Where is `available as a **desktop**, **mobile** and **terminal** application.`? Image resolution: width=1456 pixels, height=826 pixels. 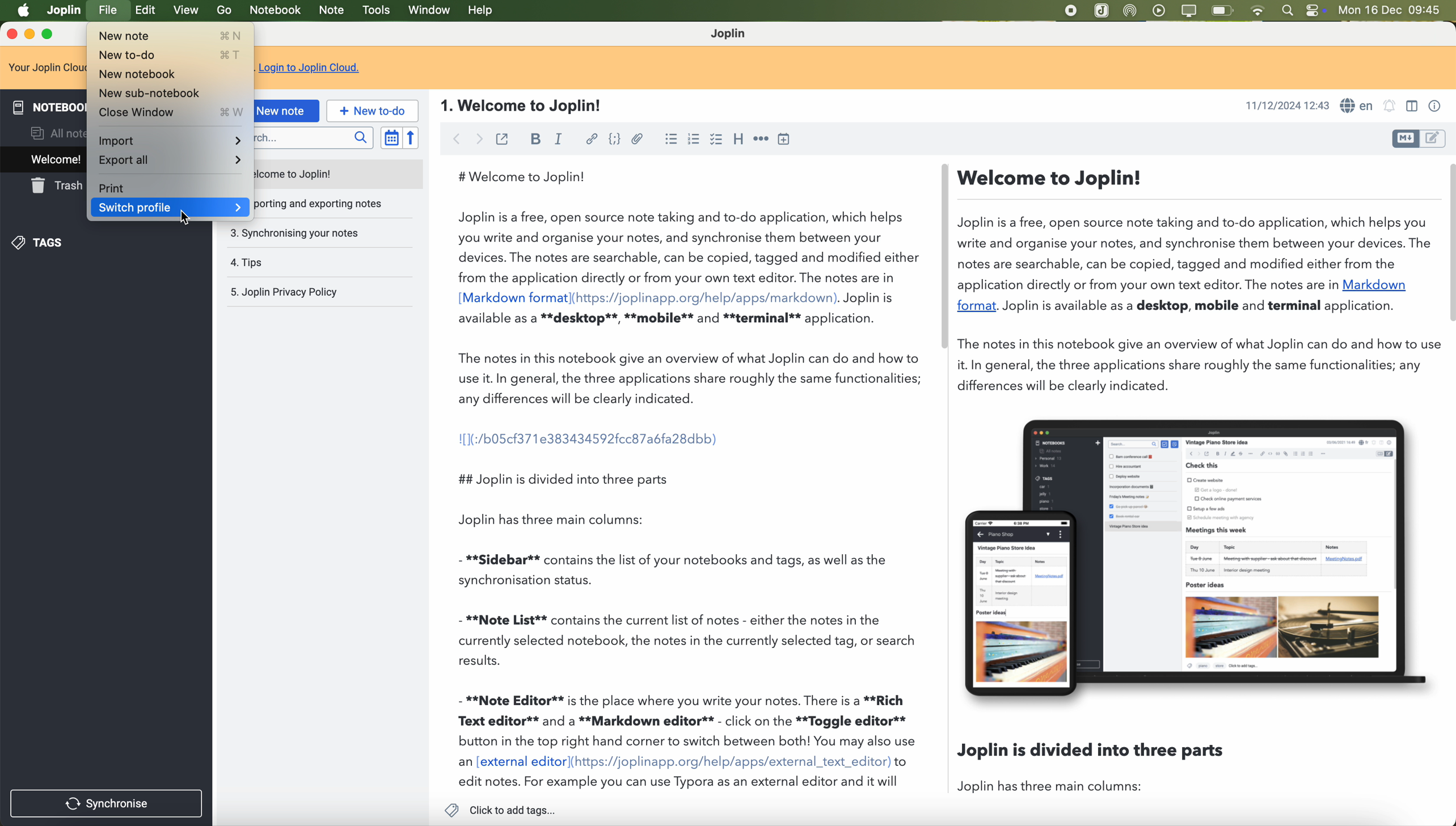
available as a **desktop**, **mobile** and **terminal** application. is located at coordinates (670, 319).